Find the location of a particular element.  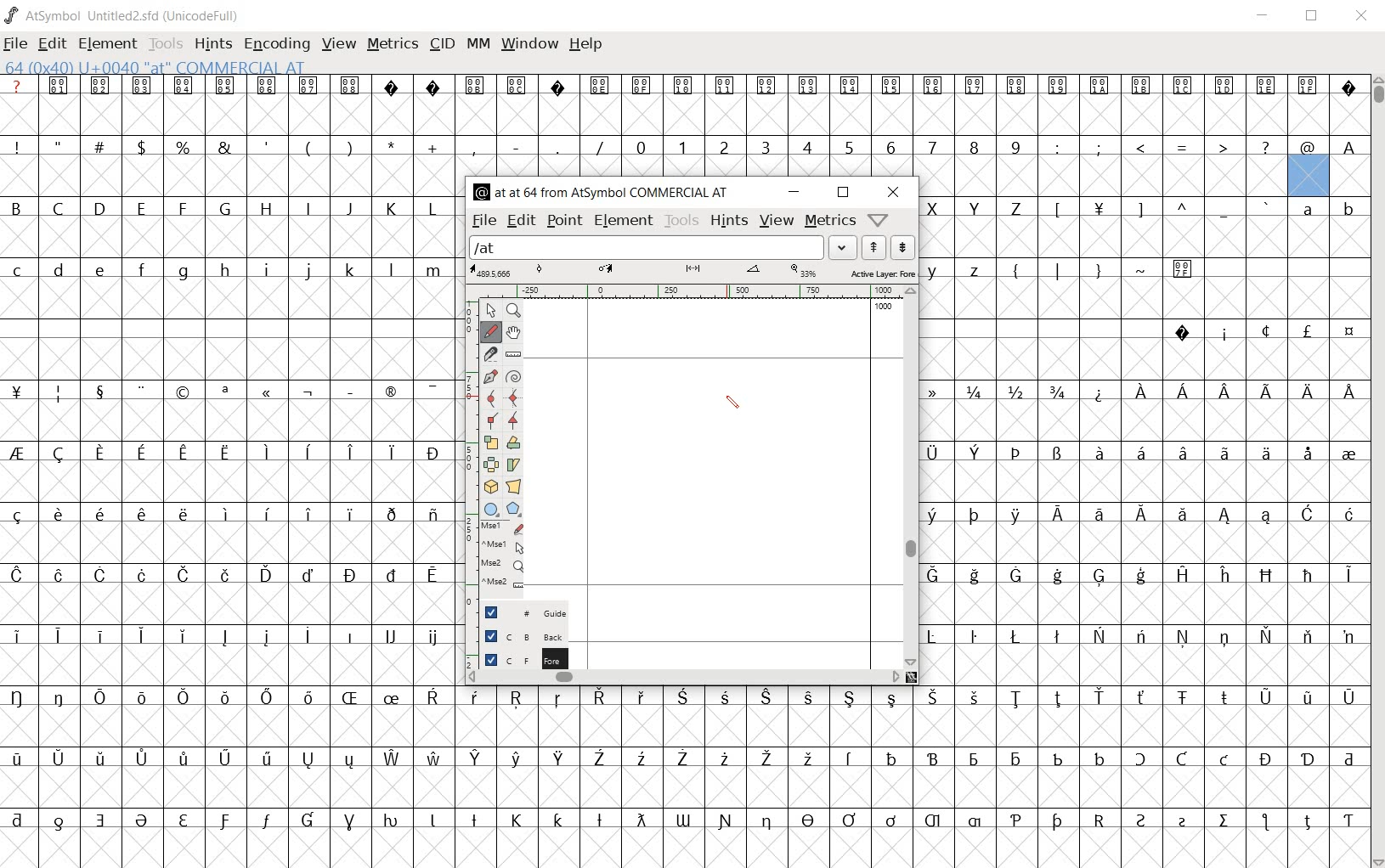

load word list is located at coordinates (647, 247).